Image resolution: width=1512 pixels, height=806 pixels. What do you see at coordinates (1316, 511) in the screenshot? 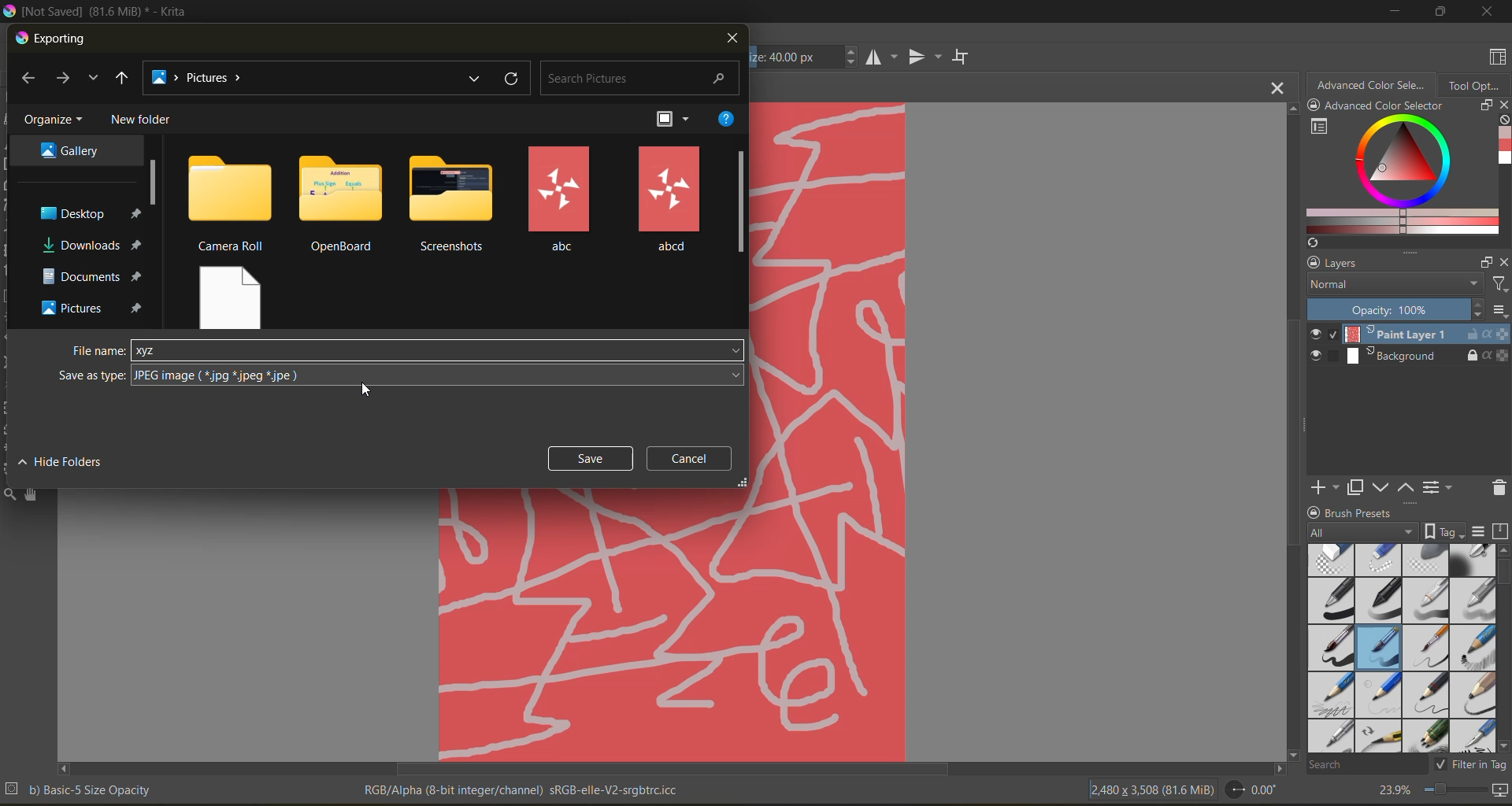
I see `lock/unlock docker` at bounding box center [1316, 511].